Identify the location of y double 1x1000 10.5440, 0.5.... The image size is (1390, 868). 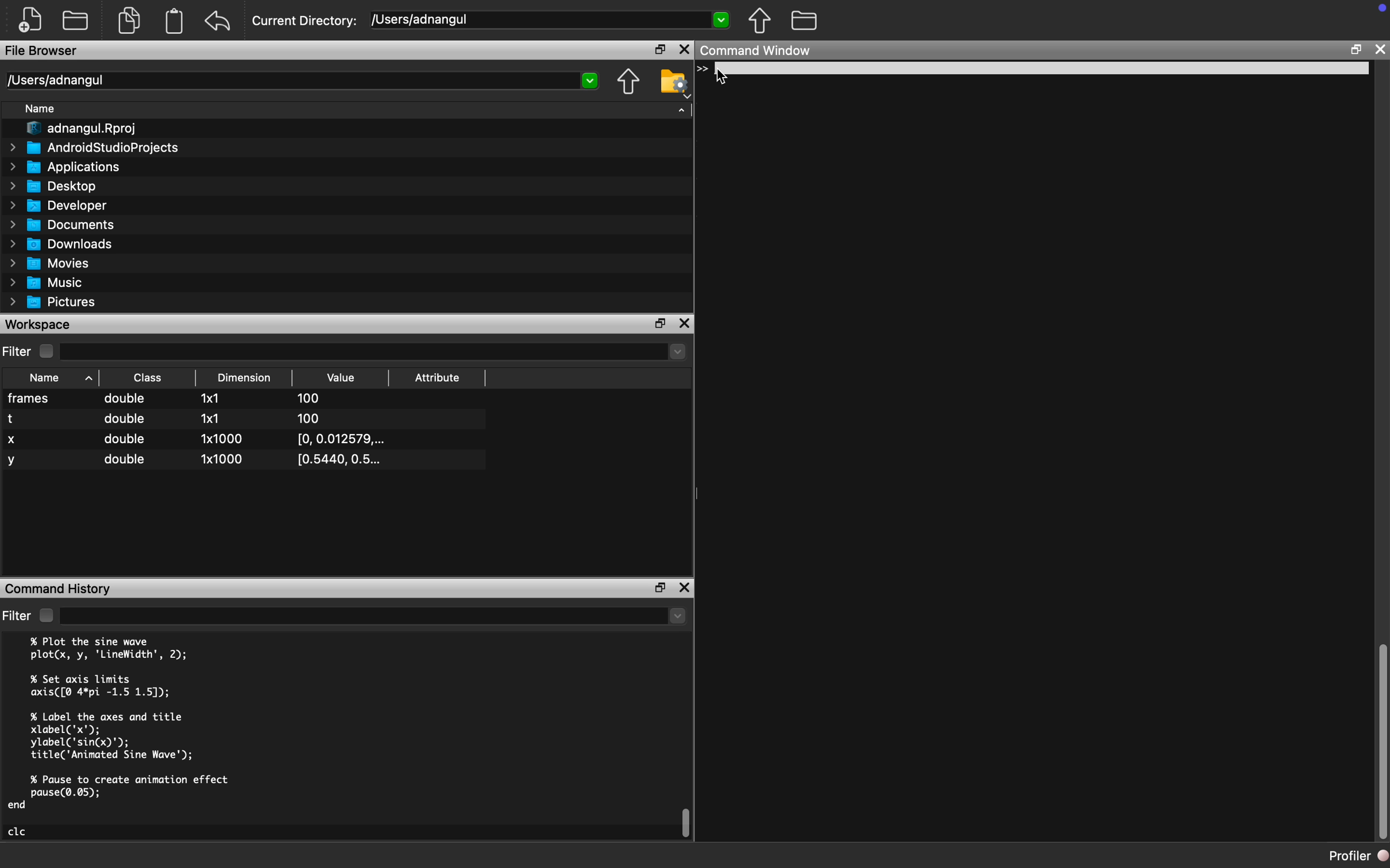
(196, 462).